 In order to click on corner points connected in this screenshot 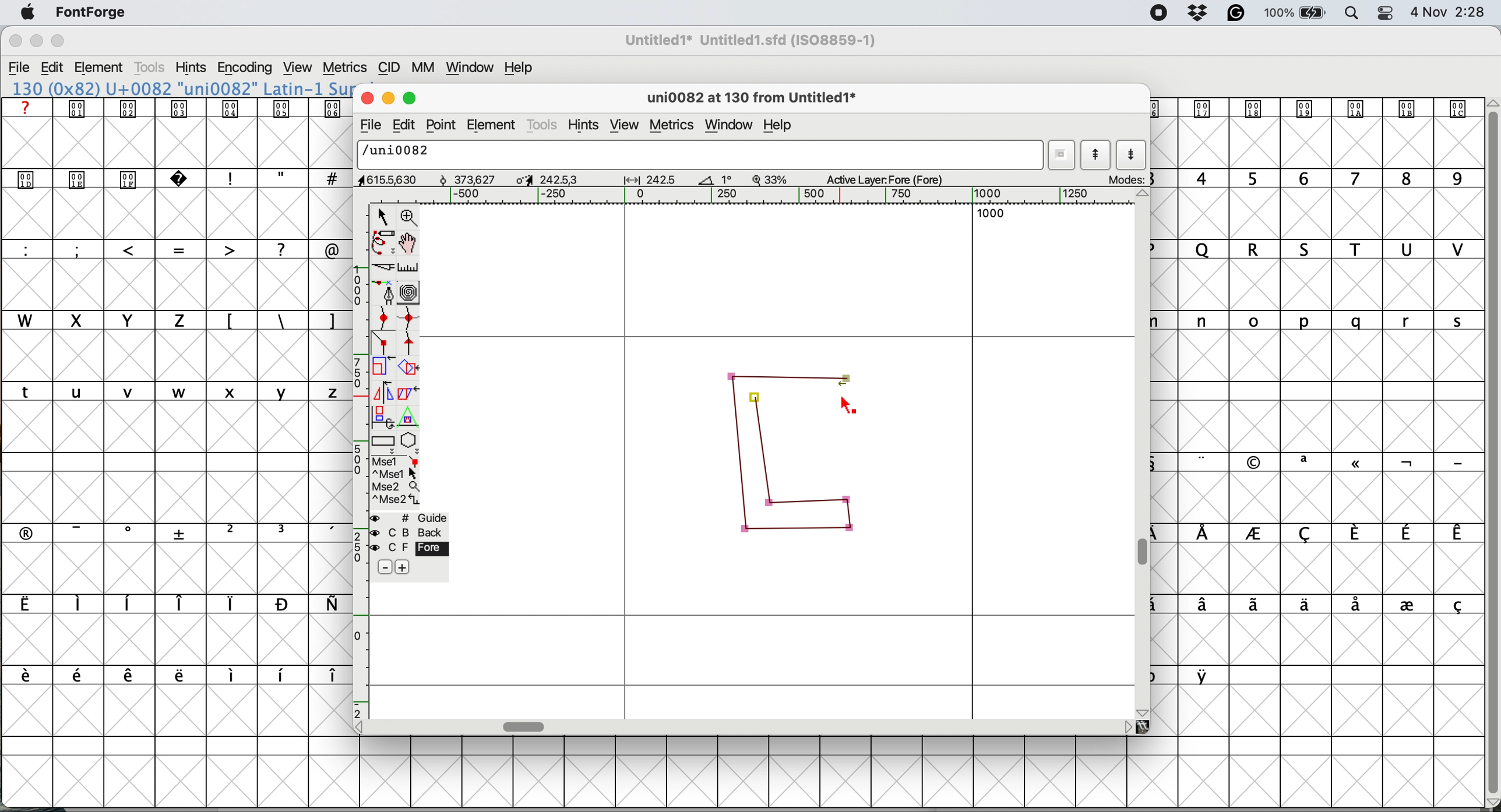, I will do `click(788, 374)`.